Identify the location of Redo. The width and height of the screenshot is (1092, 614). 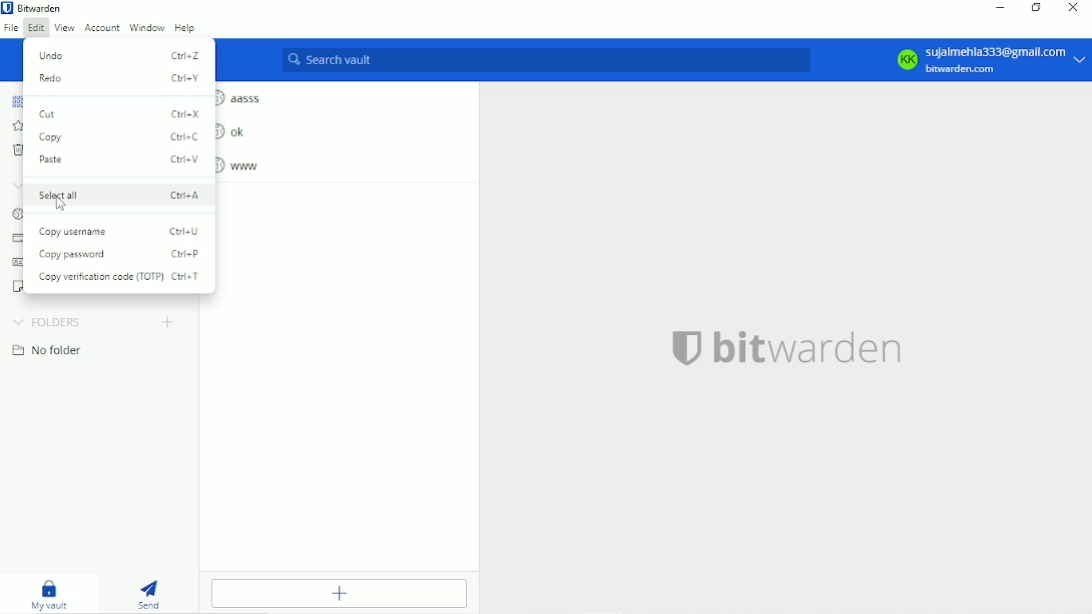
(121, 78).